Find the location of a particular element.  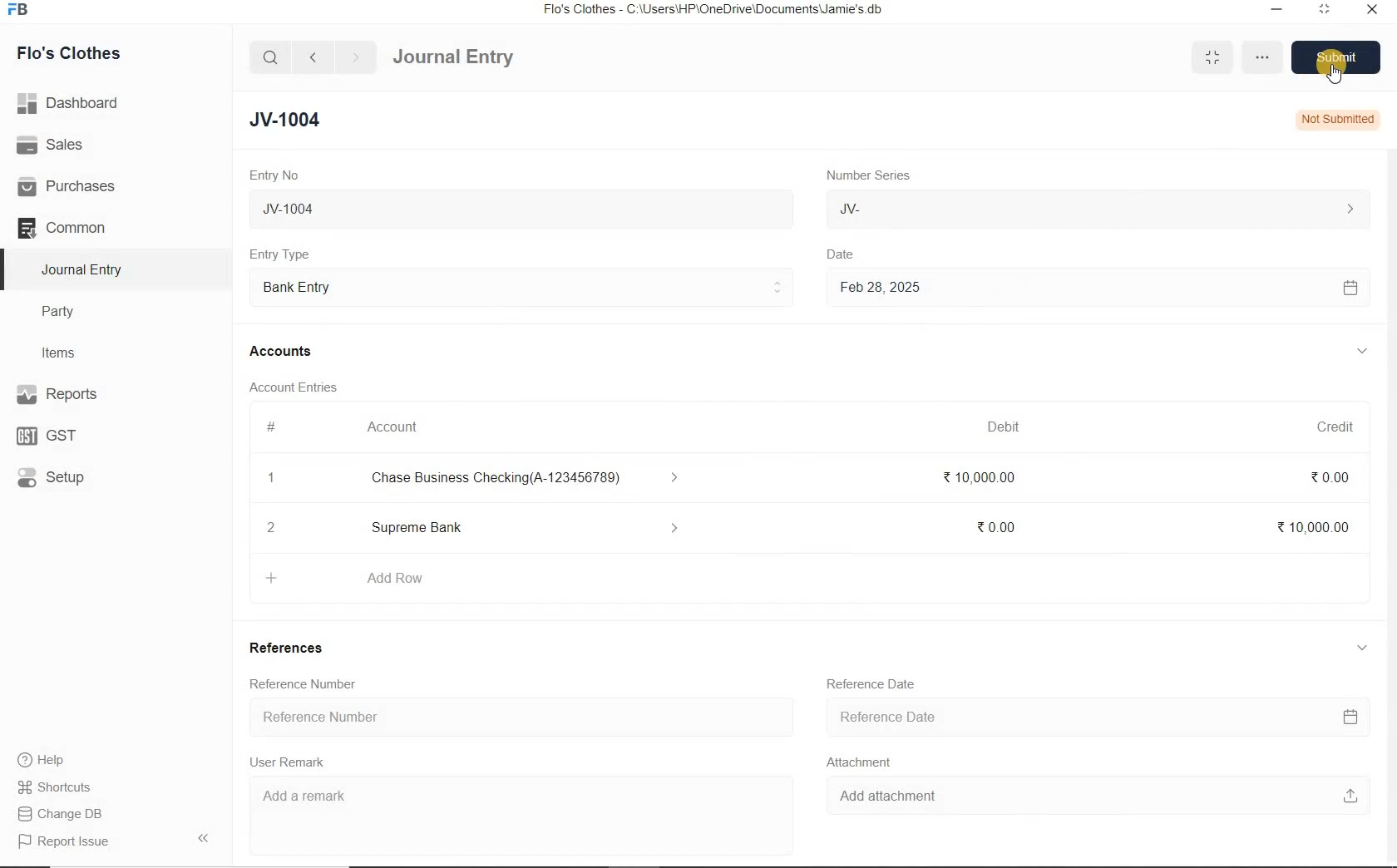

Reference Number is located at coordinates (522, 718).